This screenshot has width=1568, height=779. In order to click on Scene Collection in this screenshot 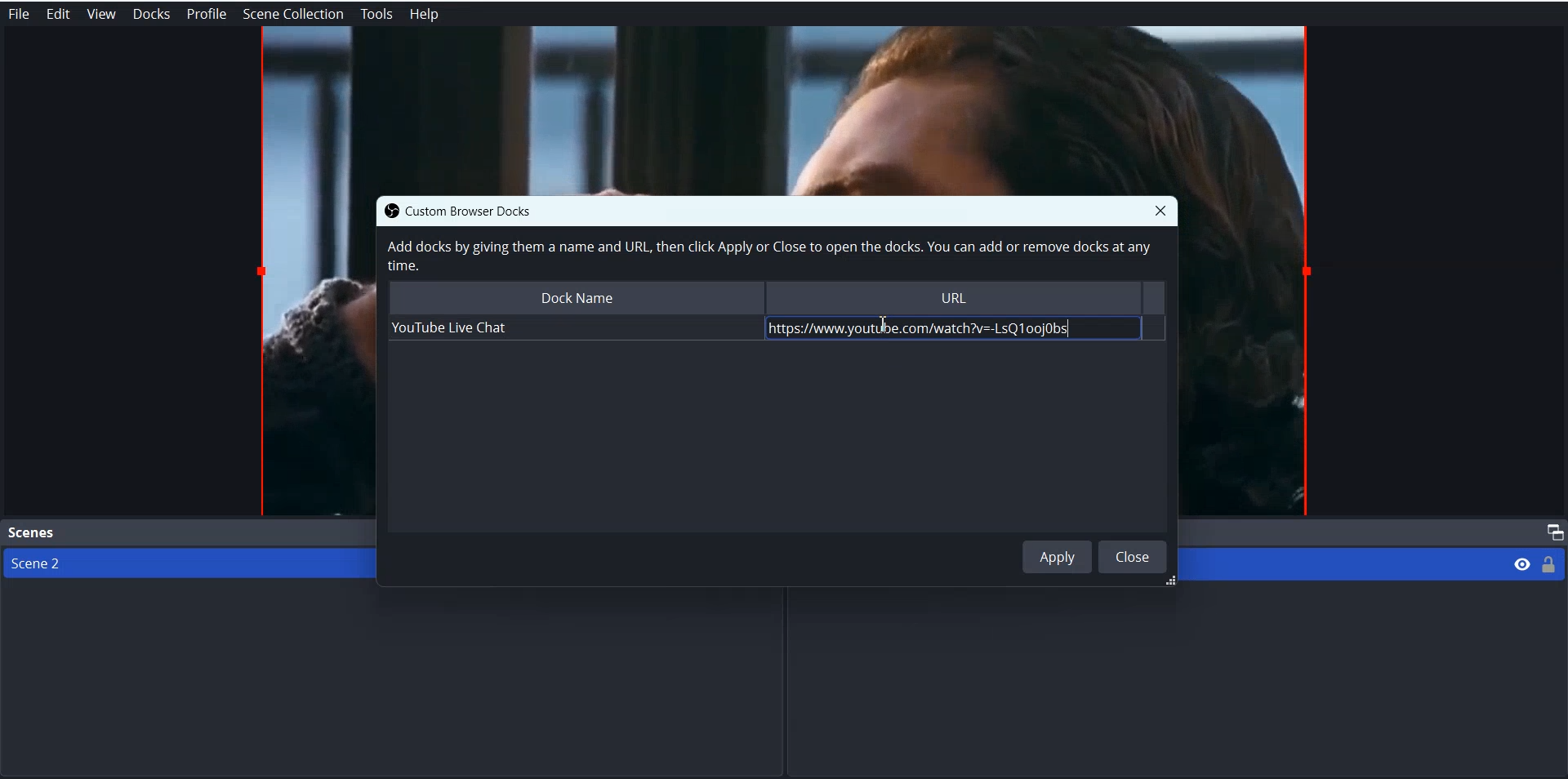, I will do `click(294, 14)`.